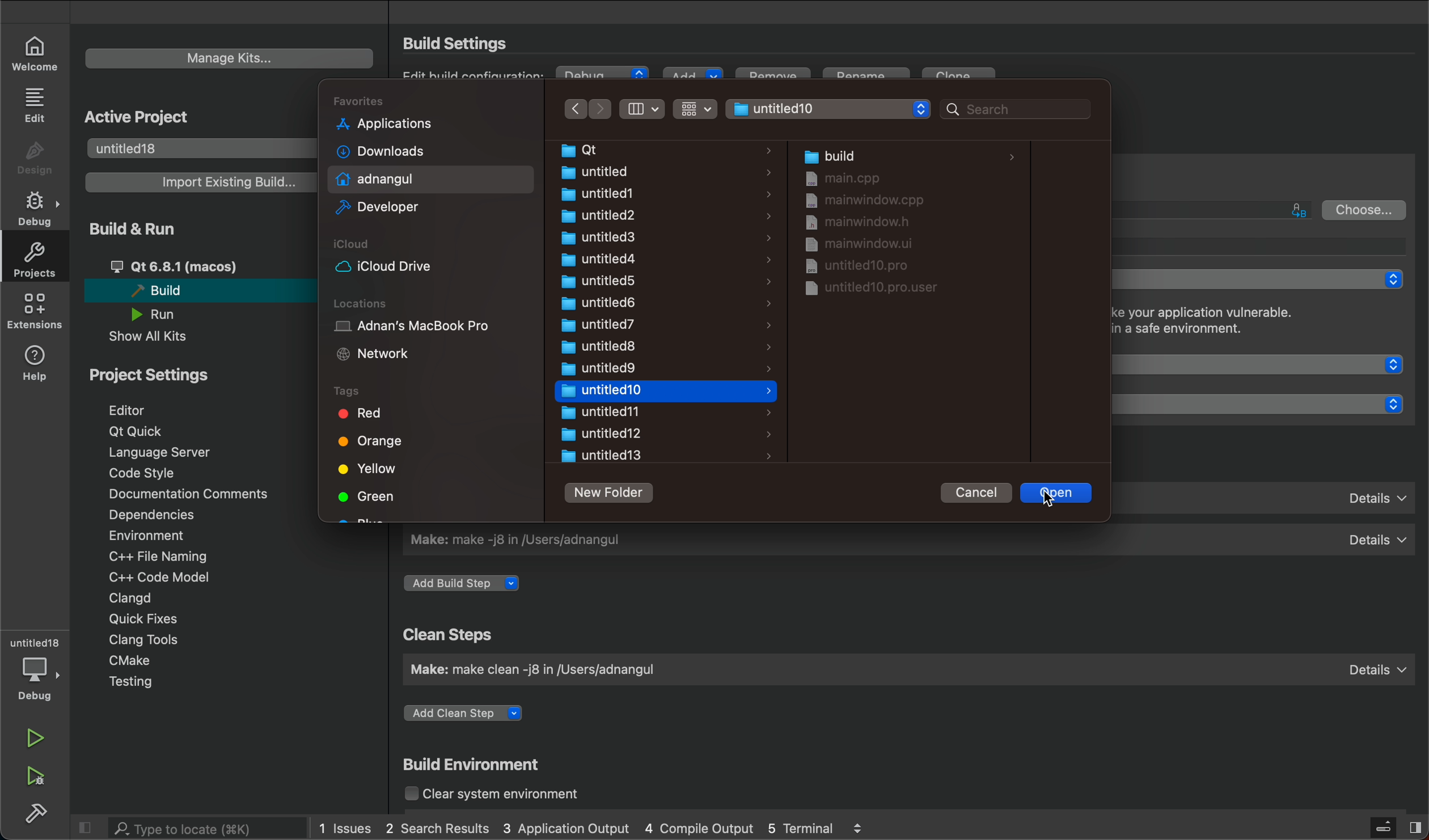  What do you see at coordinates (34, 263) in the screenshot?
I see `projects` at bounding box center [34, 263].